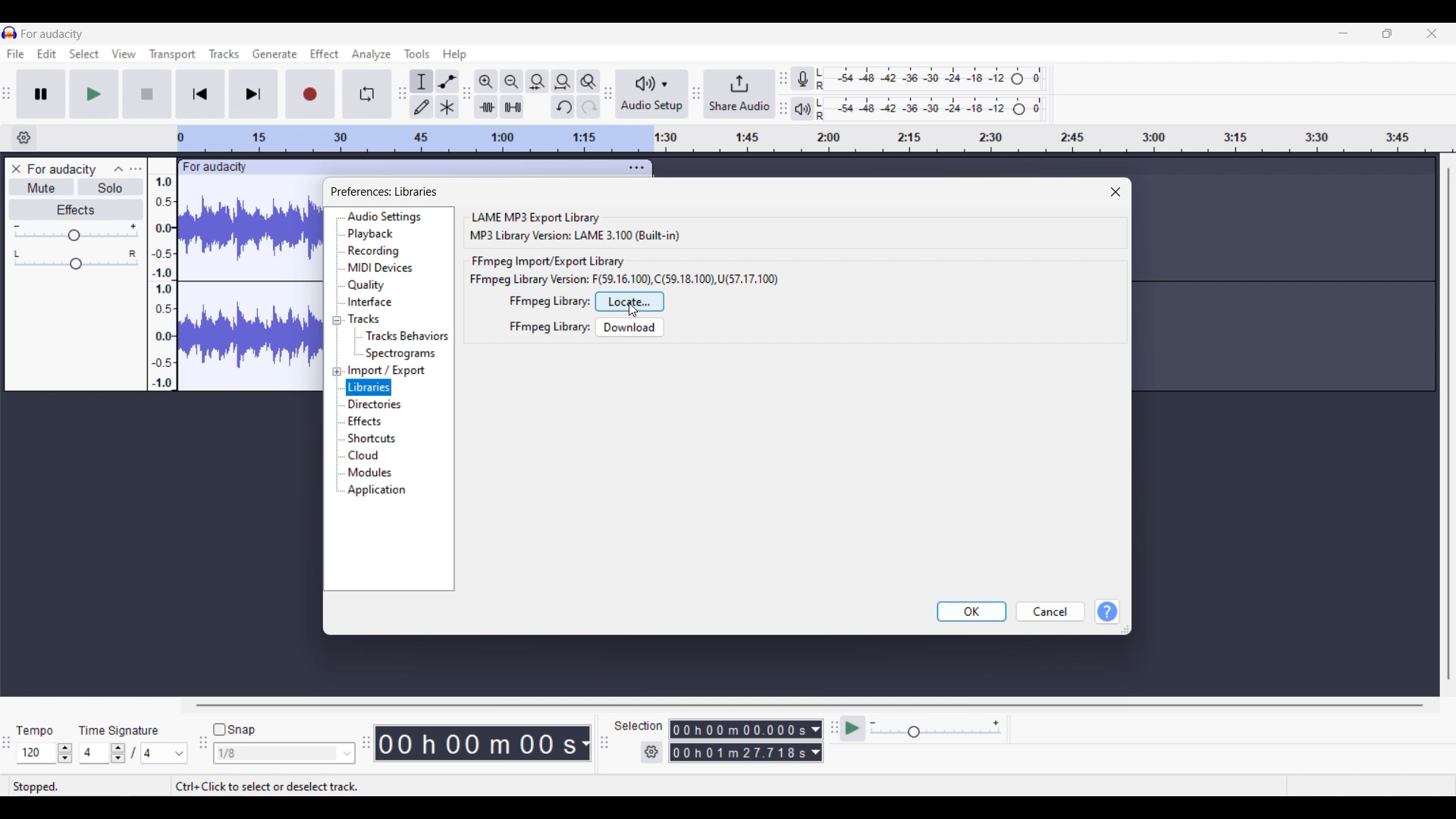 This screenshot has height=819, width=1456. What do you see at coordinates (200, 95) in the screenshot?
I see `Skip/Select to start` at bounding box center [200, 95].